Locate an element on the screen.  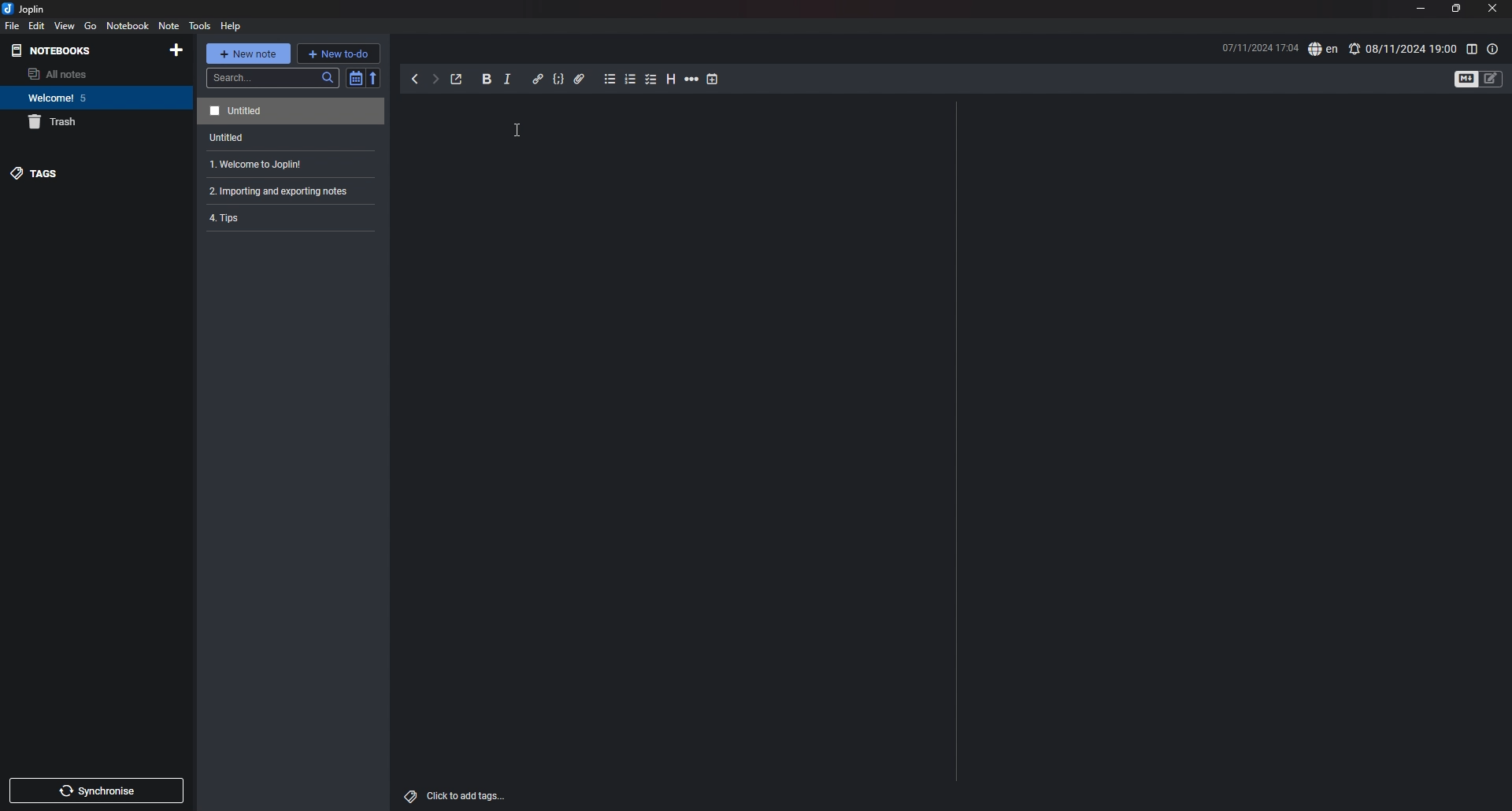
edit is located at coordinates (36, 26).